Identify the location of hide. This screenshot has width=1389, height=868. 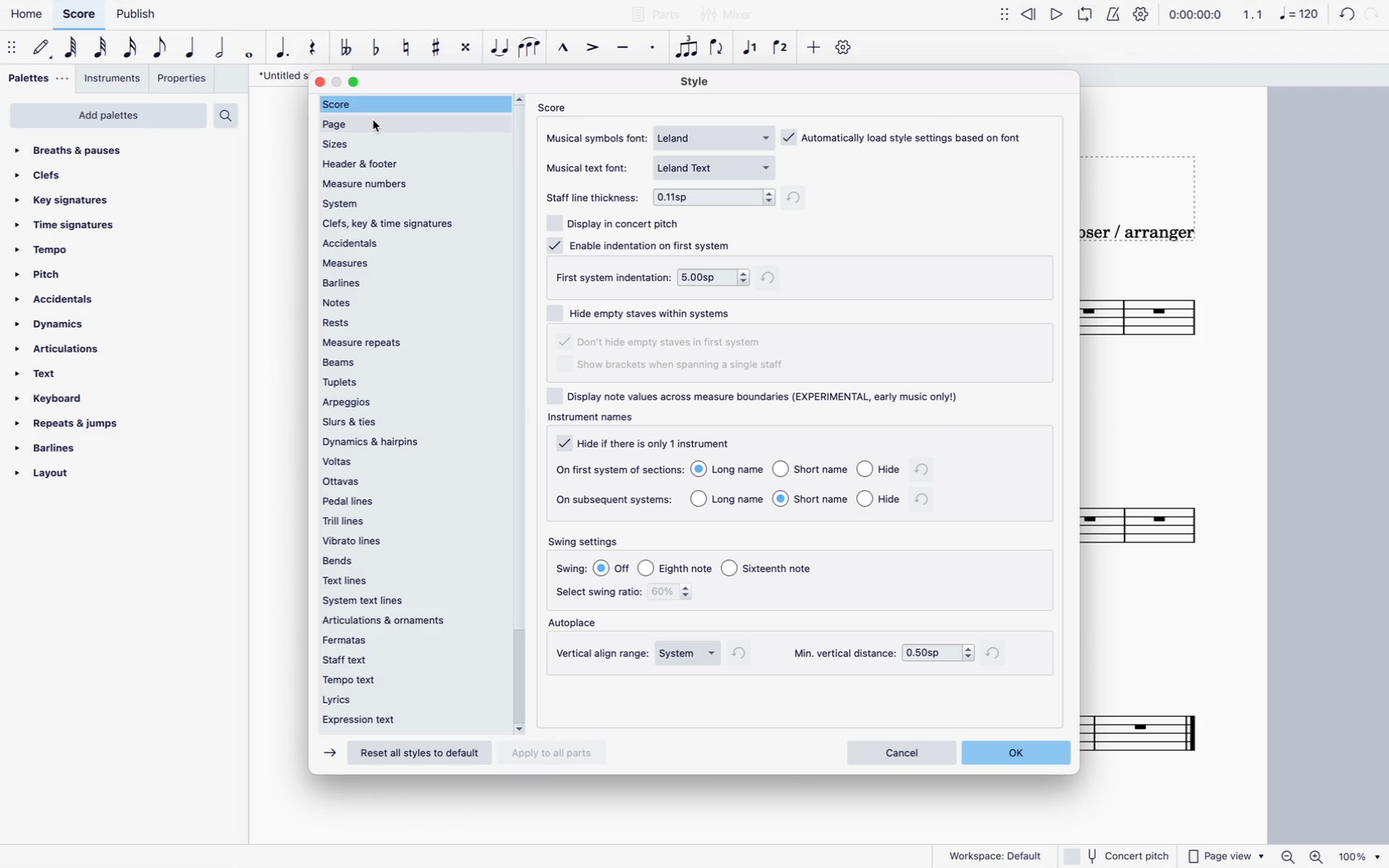
(643, 310).